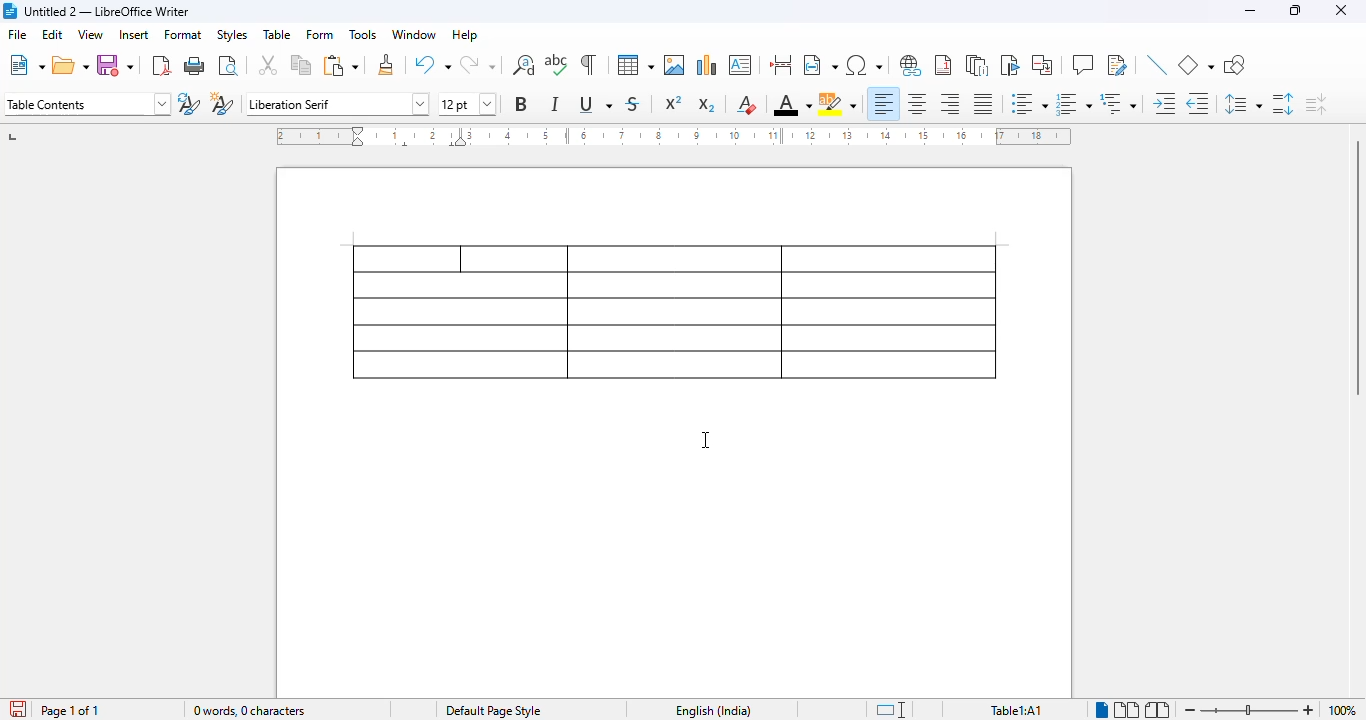 This screenshot has width=1366, height=720. What do you see at coordinates (595, 104) in the screenshot?
I see `underline` at bounding box center [595, 104].